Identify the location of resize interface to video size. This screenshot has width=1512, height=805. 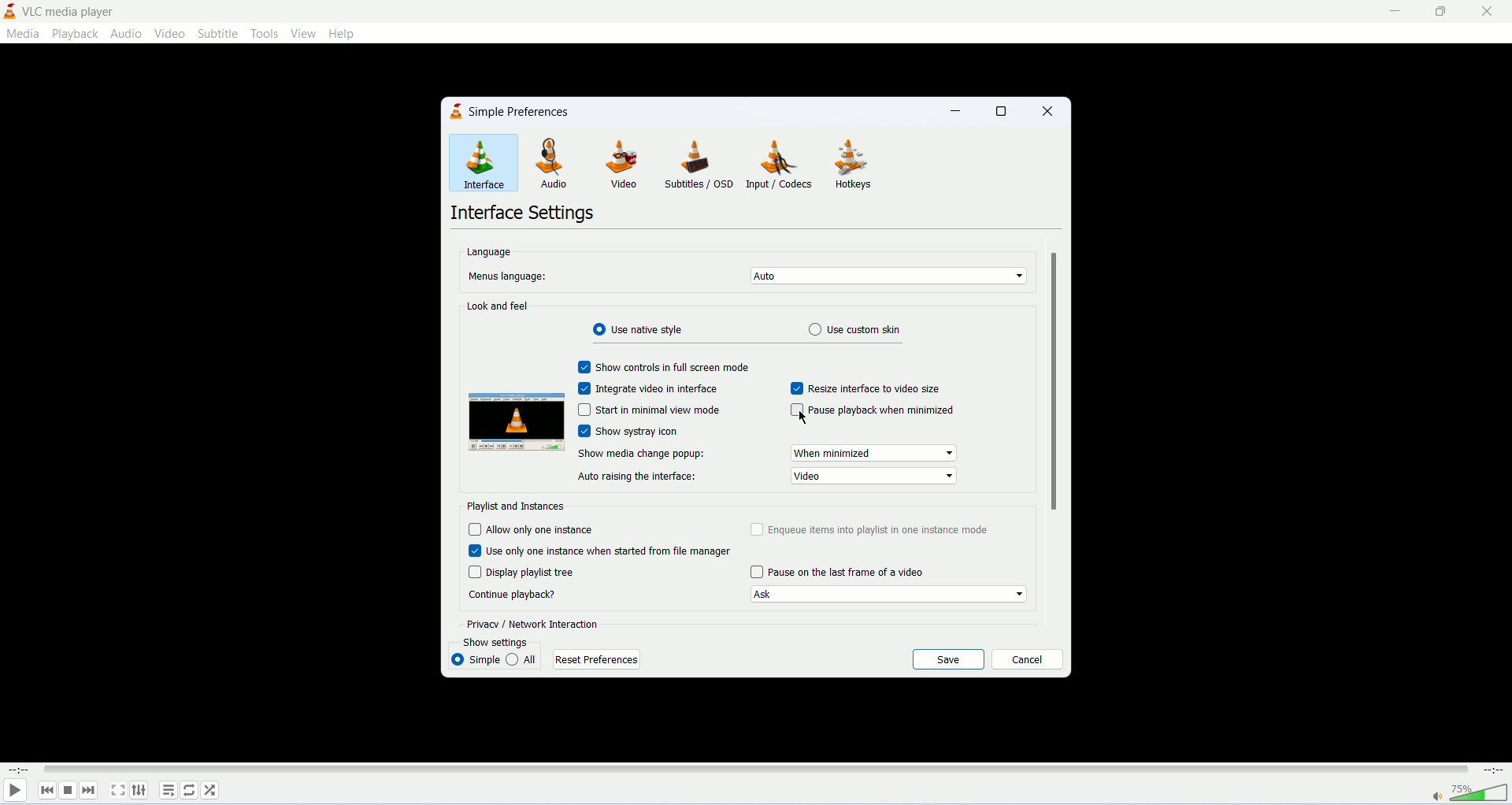
(884, 388).